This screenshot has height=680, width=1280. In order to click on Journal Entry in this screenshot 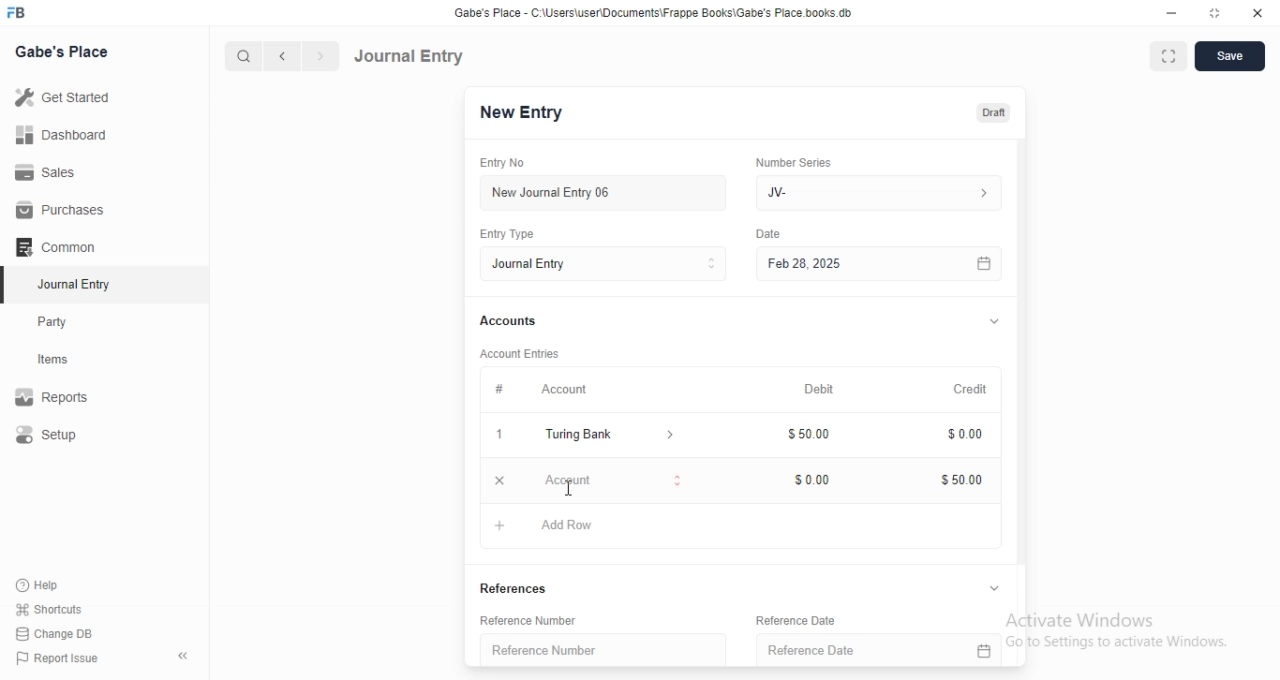, I will do `click(65, 286)`.